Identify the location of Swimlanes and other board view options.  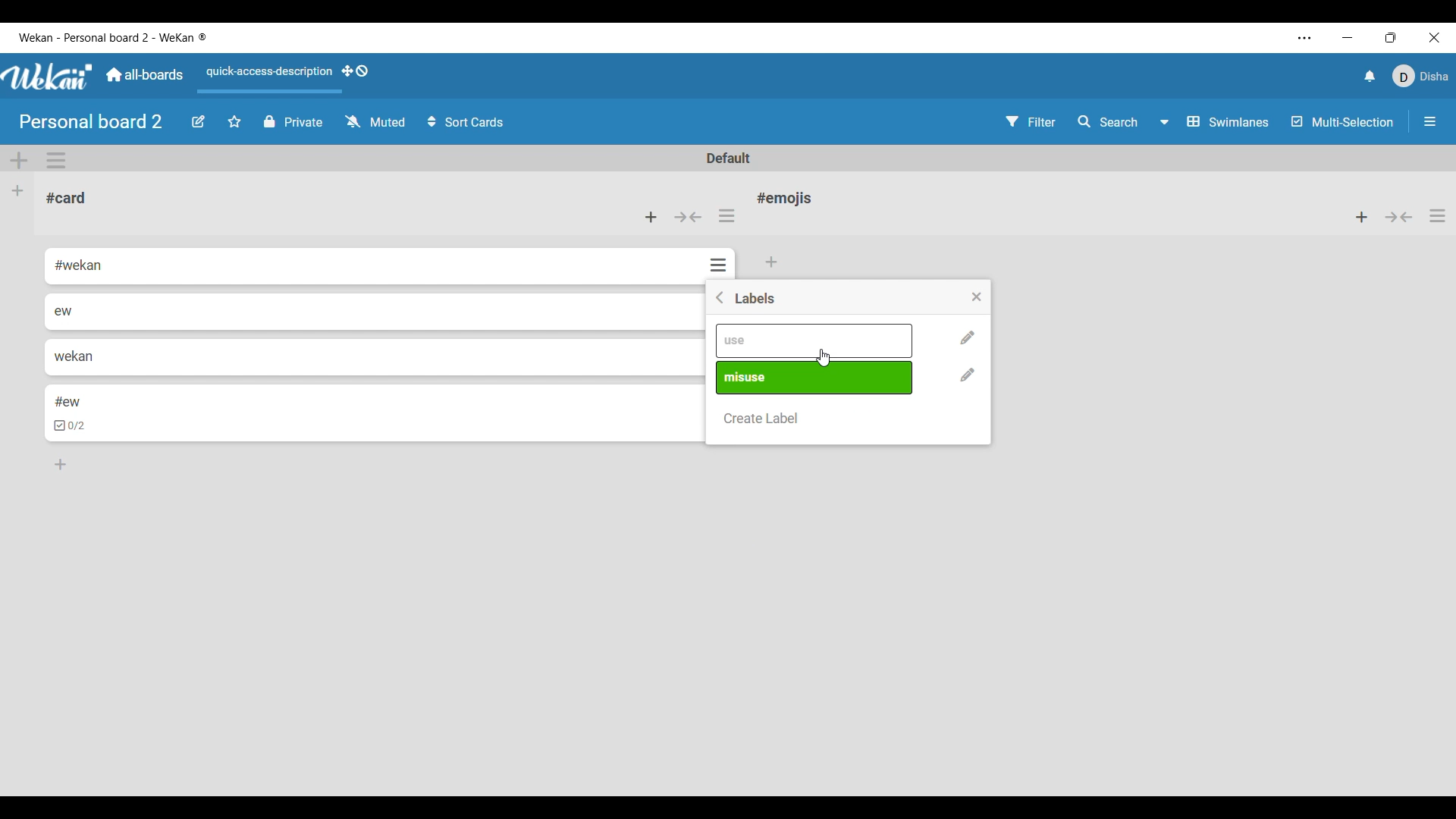
(1213, 121).